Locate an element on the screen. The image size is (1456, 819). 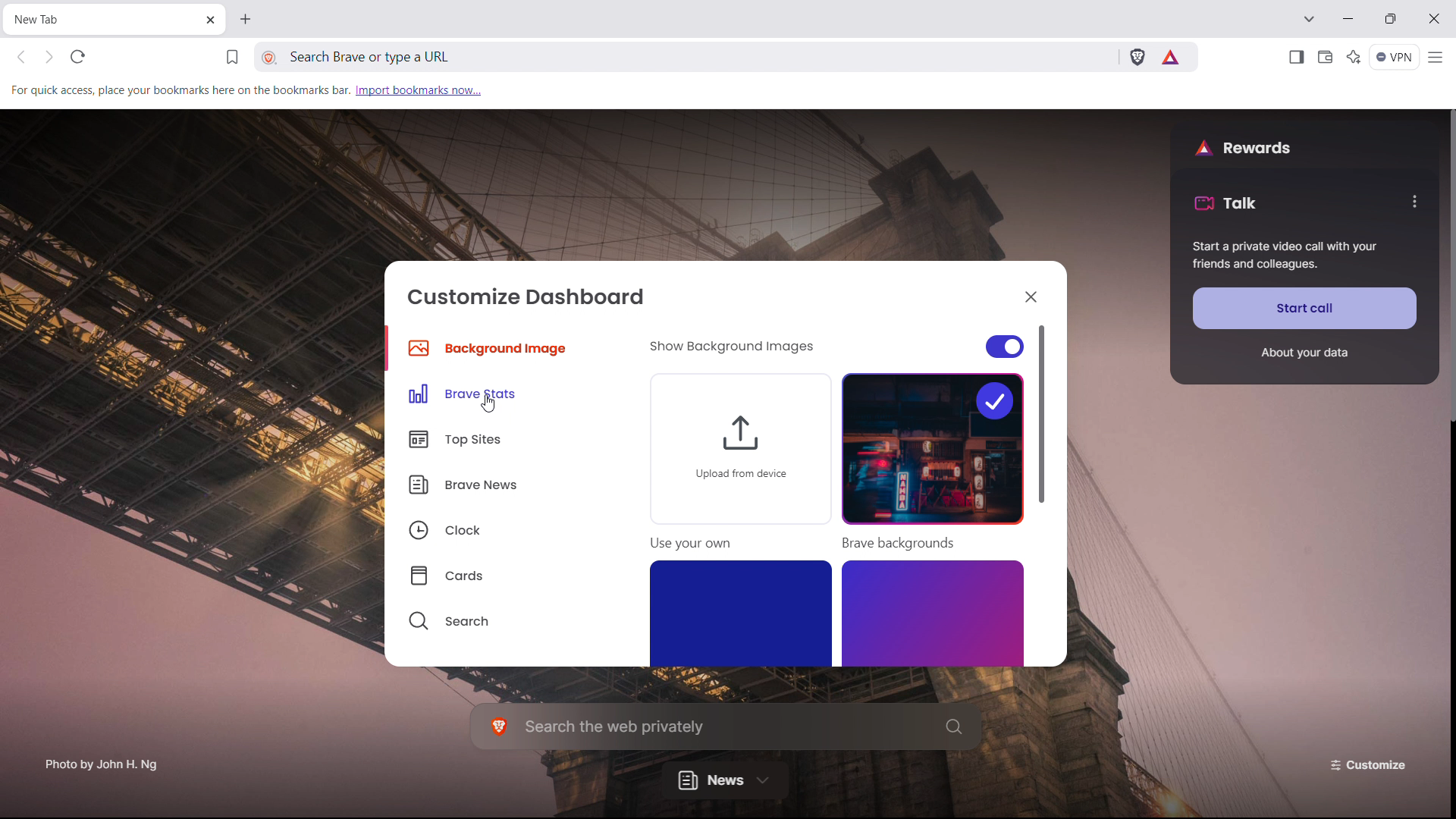
bookmark this page is located at coordinates (232, 58).